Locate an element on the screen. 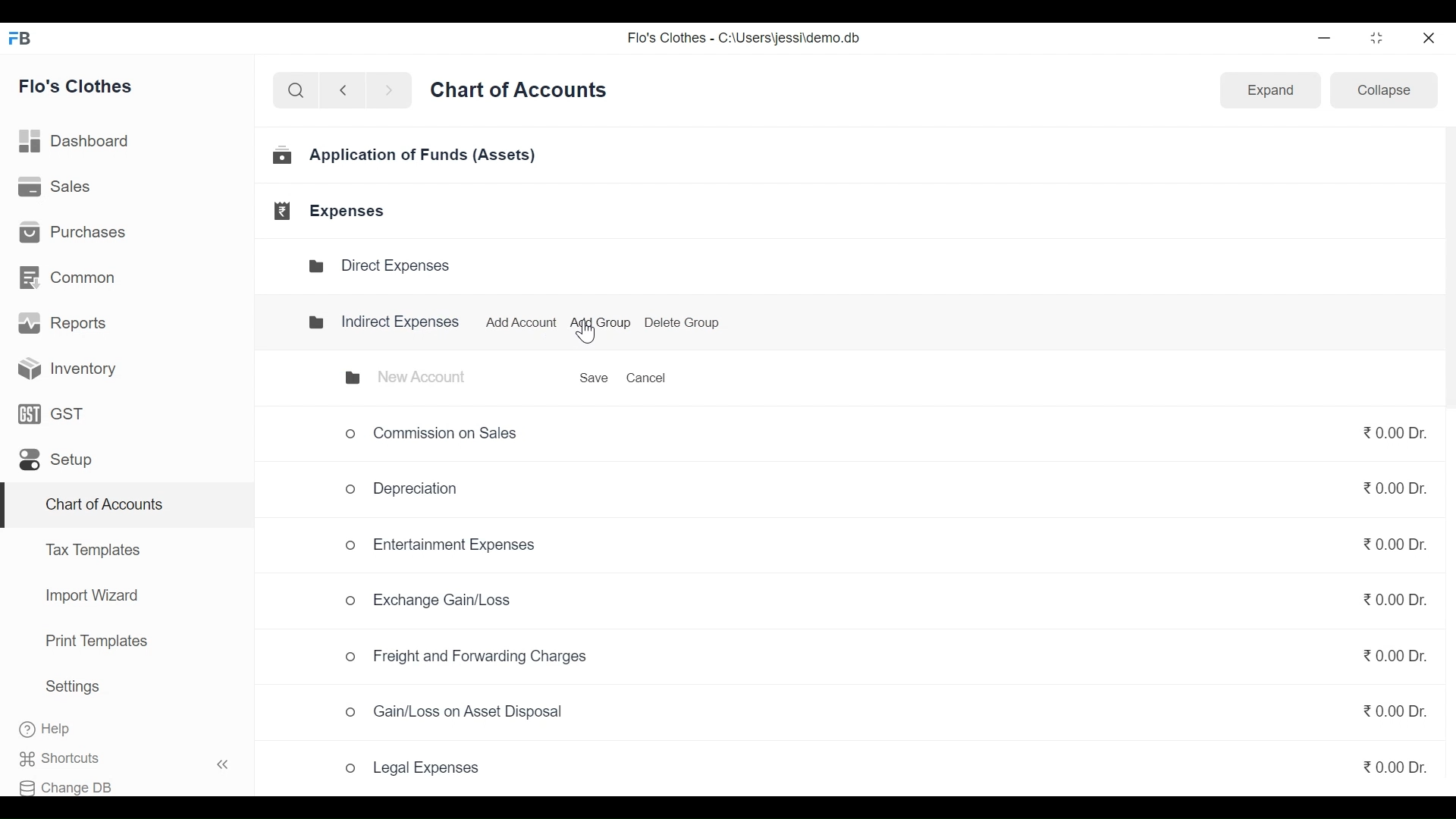  Common is located at coordinates (69, 276).